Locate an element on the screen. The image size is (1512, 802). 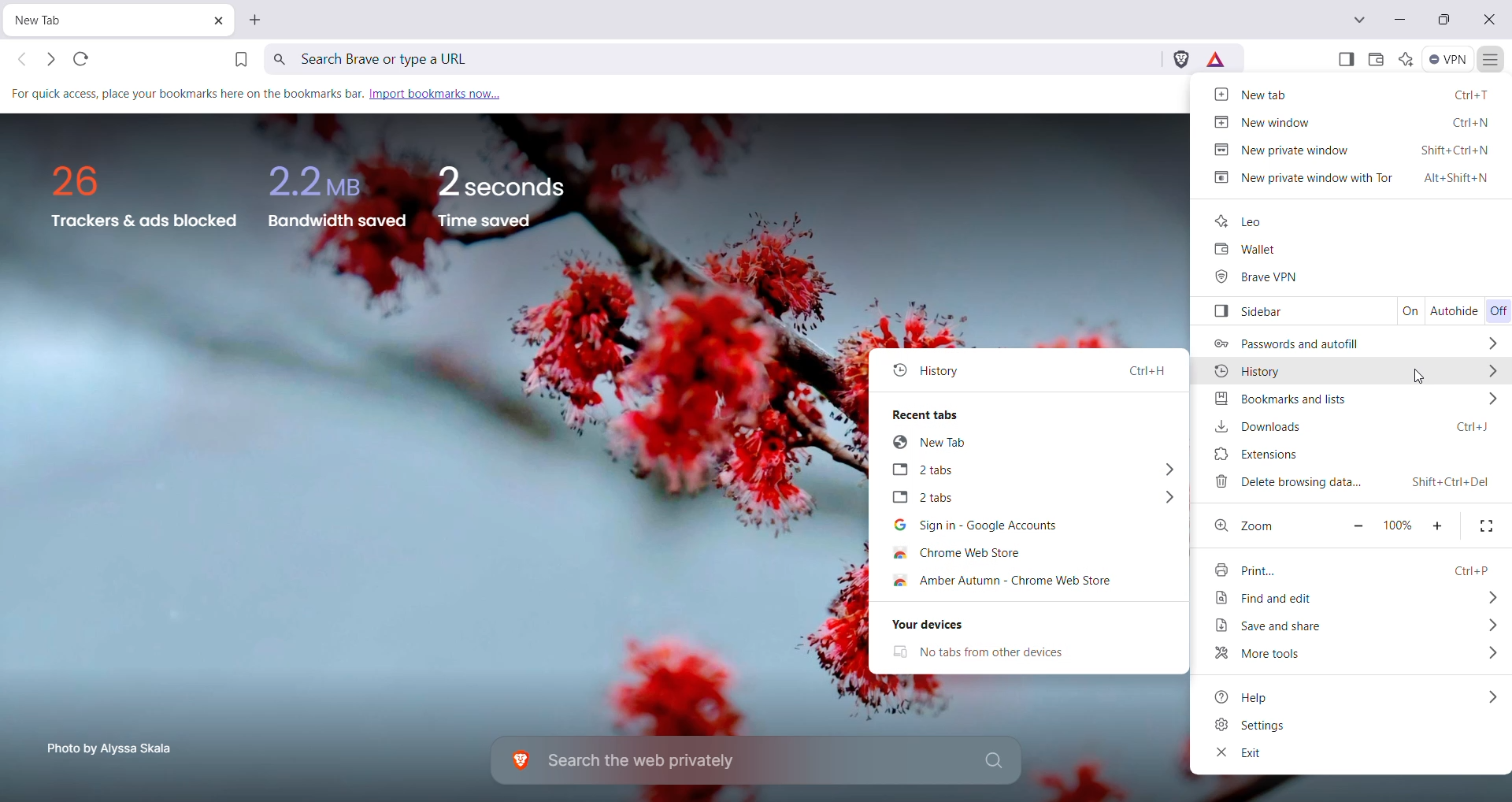
Password and autofill is located at coordinates (1354, 343).